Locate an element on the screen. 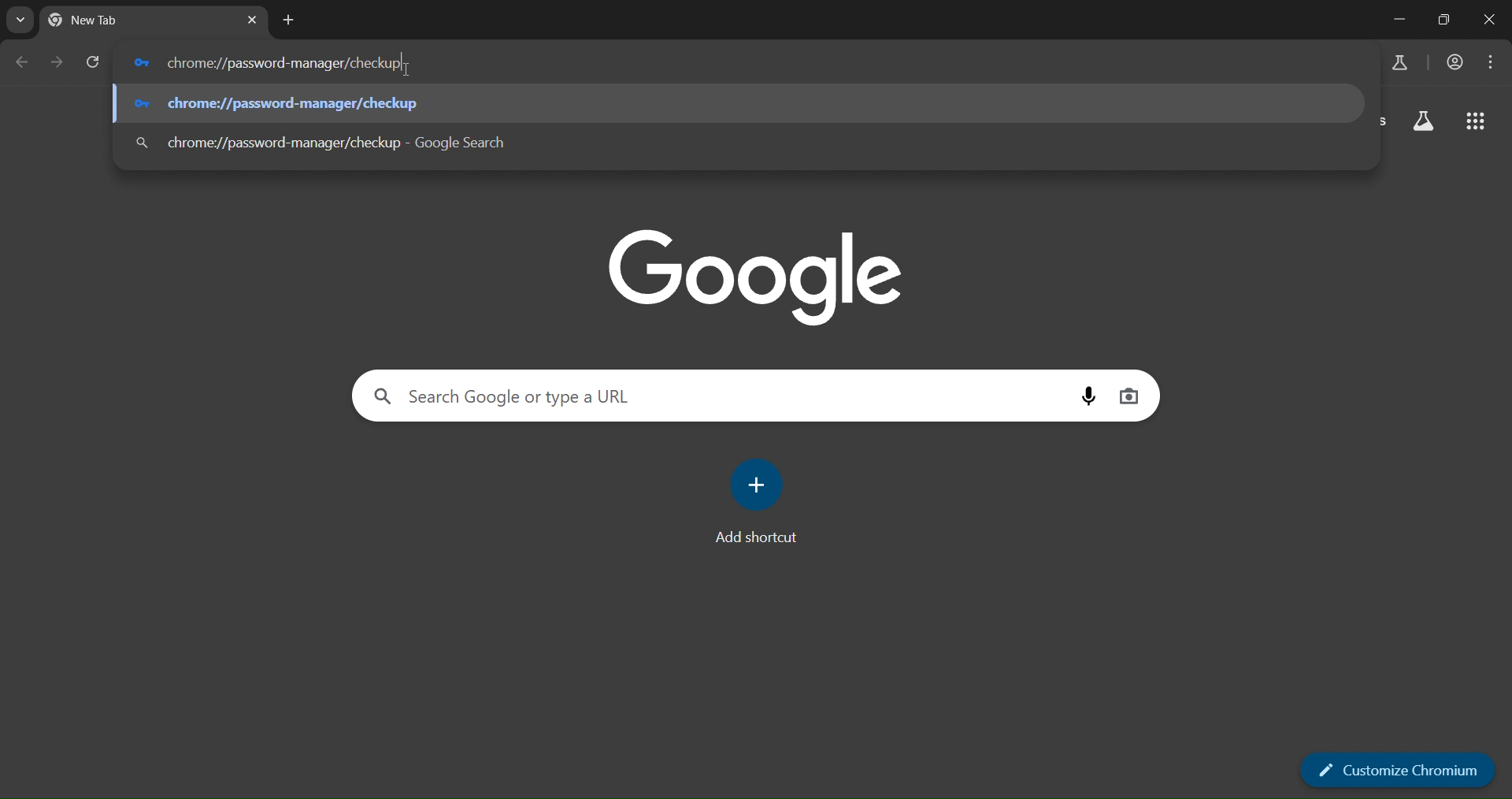 The height and width of the screenshot is (799, 1512). current tab is located at coordinates (112, 22).